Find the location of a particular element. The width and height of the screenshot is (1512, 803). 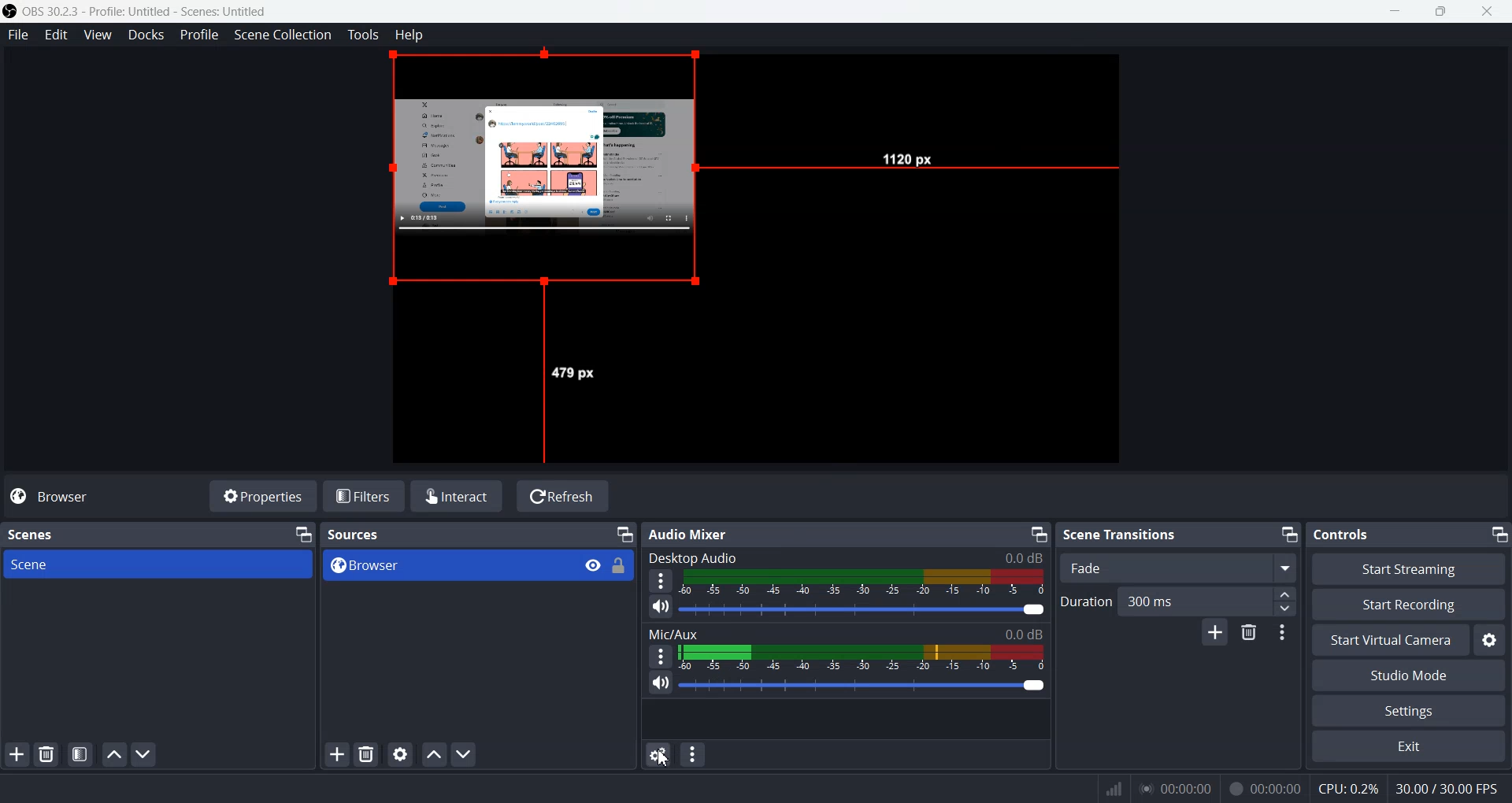

Move sources up is located at coordinates (434, 754).